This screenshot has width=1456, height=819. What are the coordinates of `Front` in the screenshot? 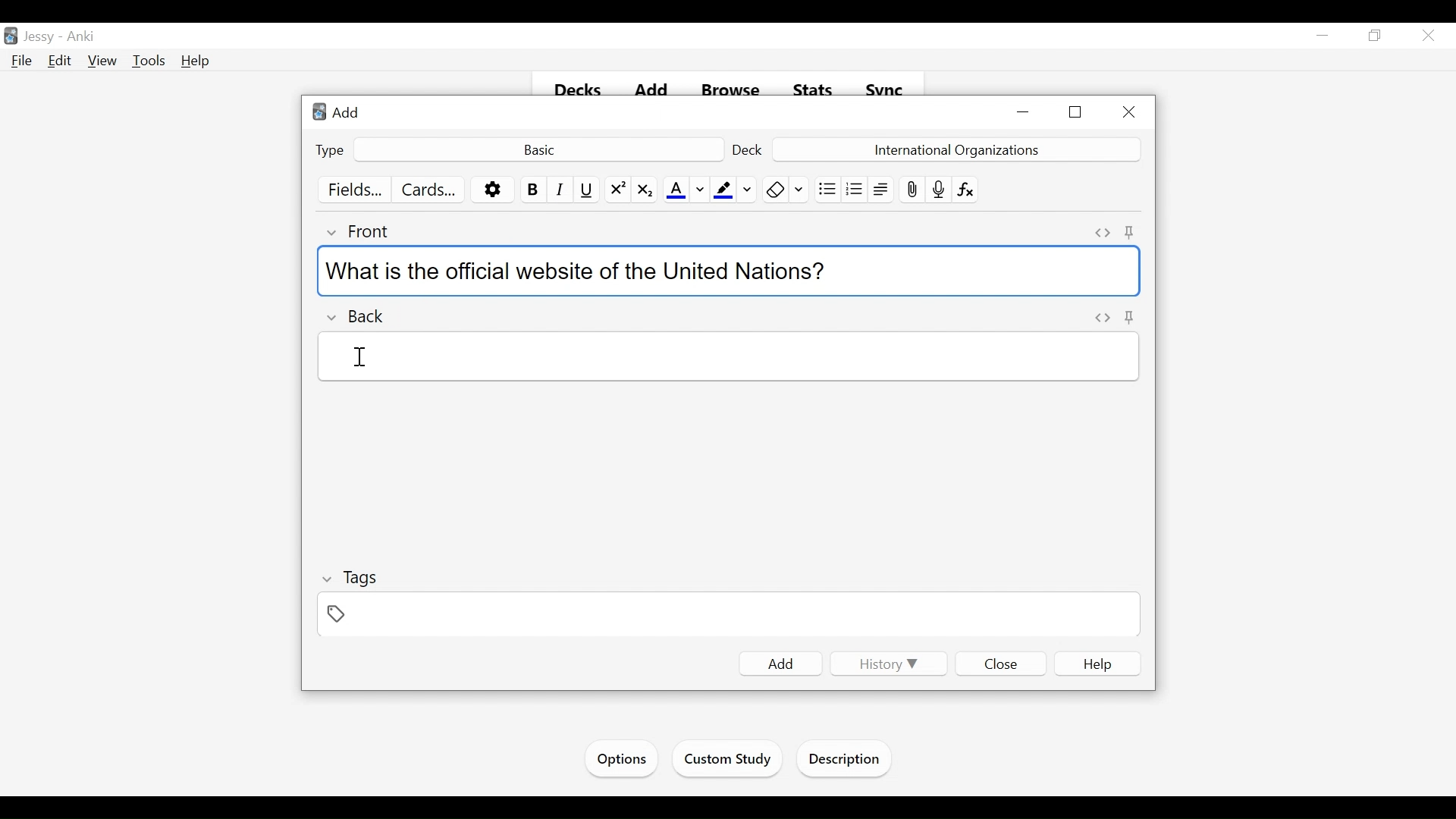 It's located at (360, 231).